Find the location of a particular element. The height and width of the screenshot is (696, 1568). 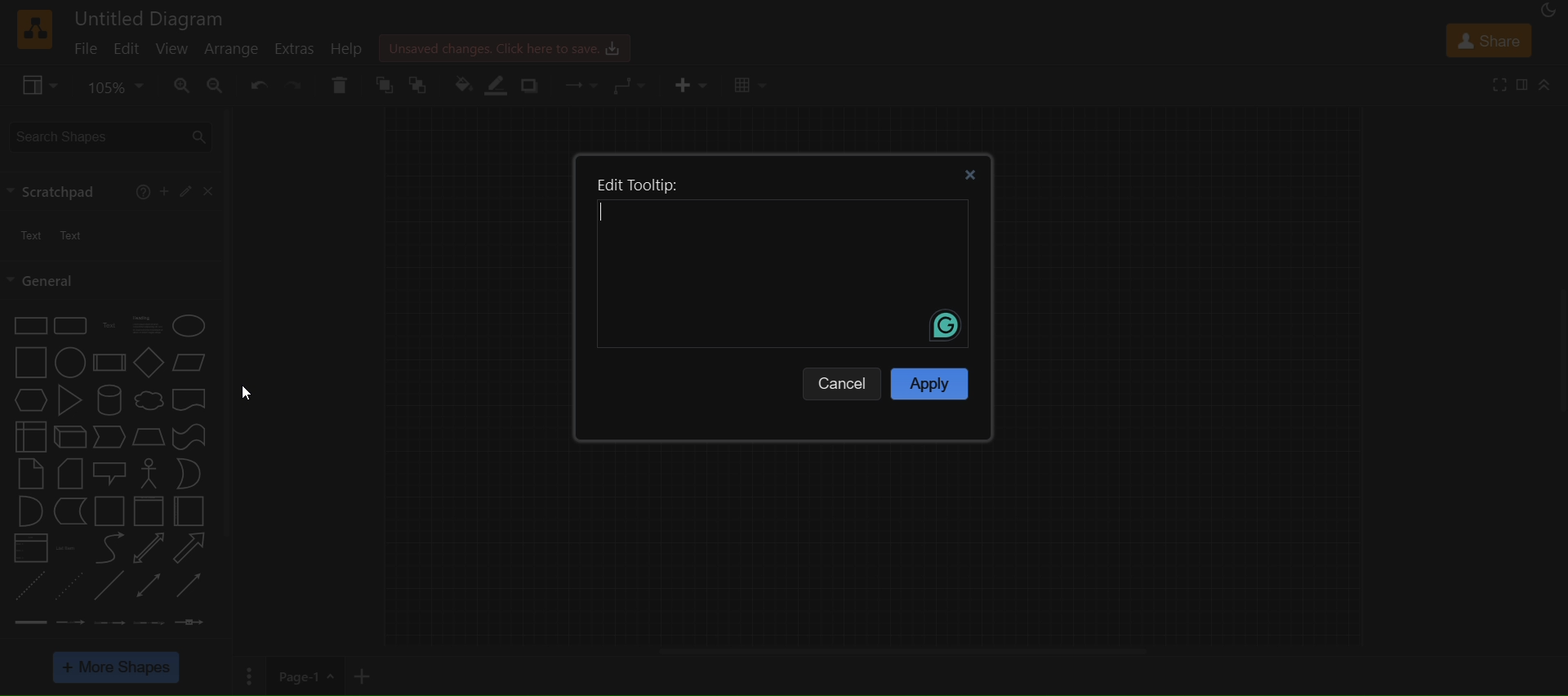

hexagon is located at coordinates (28, 400).